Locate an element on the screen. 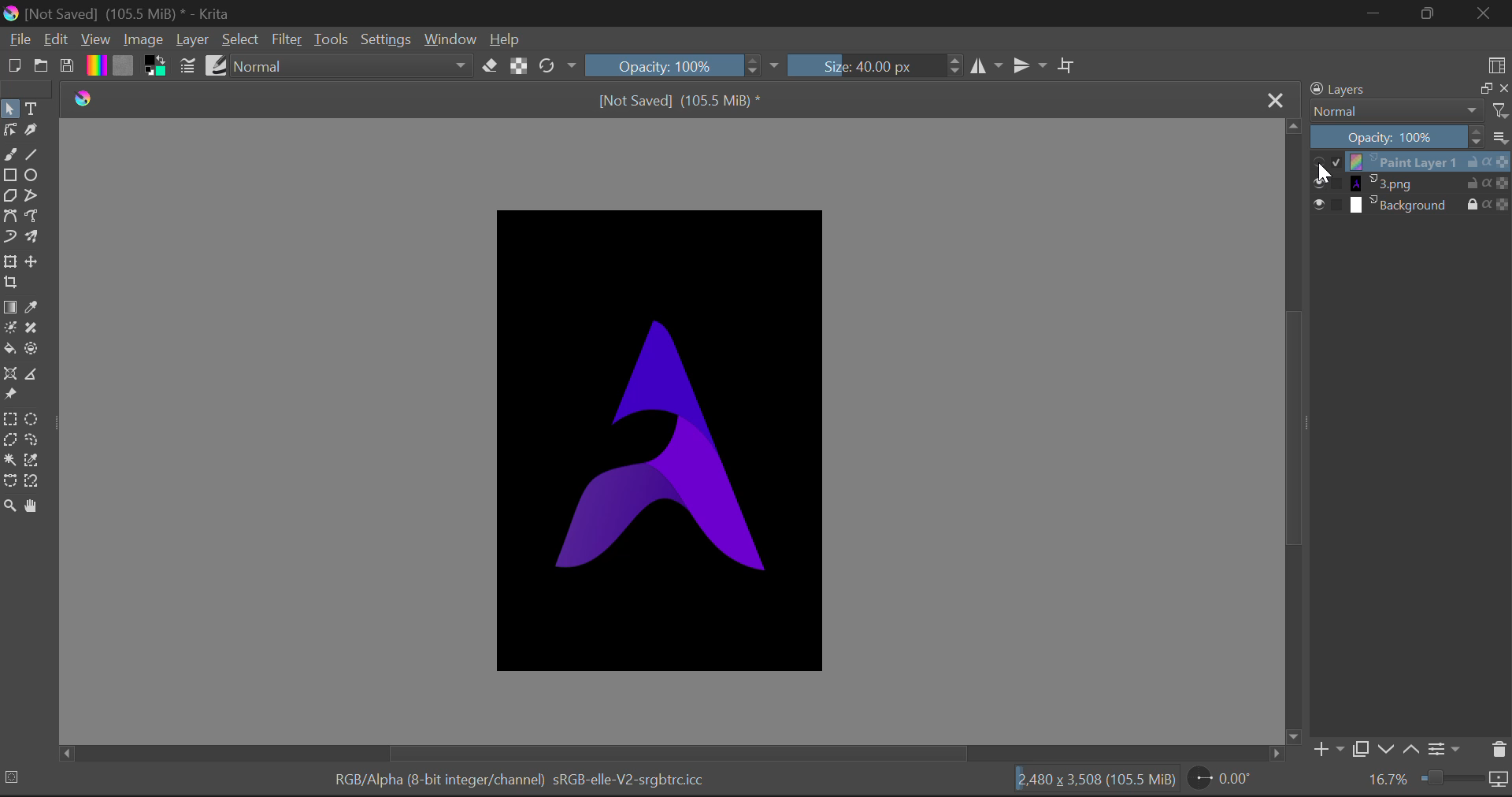 This screenshot has height=797, width=1512. Rectangle Selection is located at coordinates (11, 419).